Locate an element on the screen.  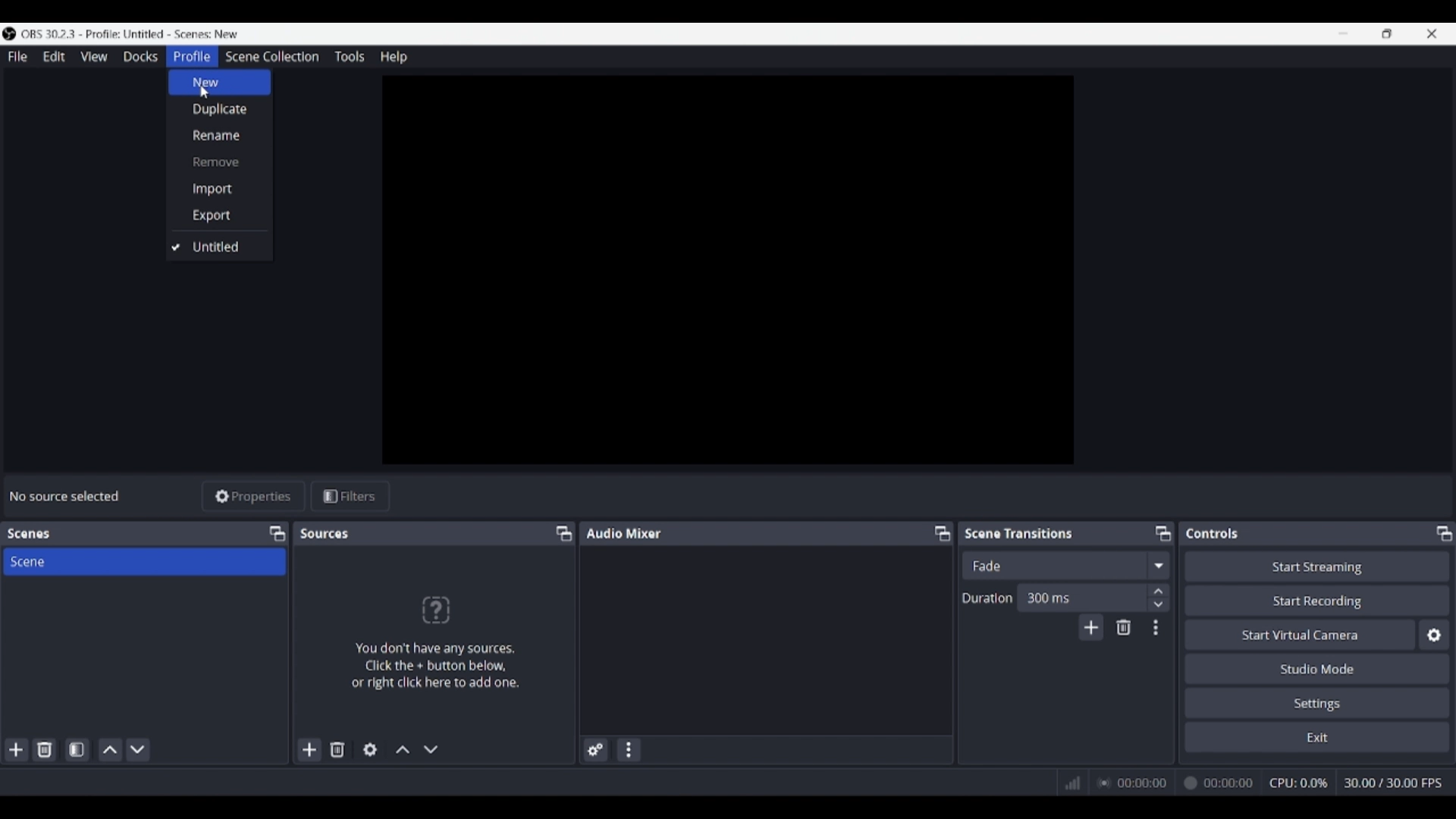
File menu is located at coordinates (17, 56).